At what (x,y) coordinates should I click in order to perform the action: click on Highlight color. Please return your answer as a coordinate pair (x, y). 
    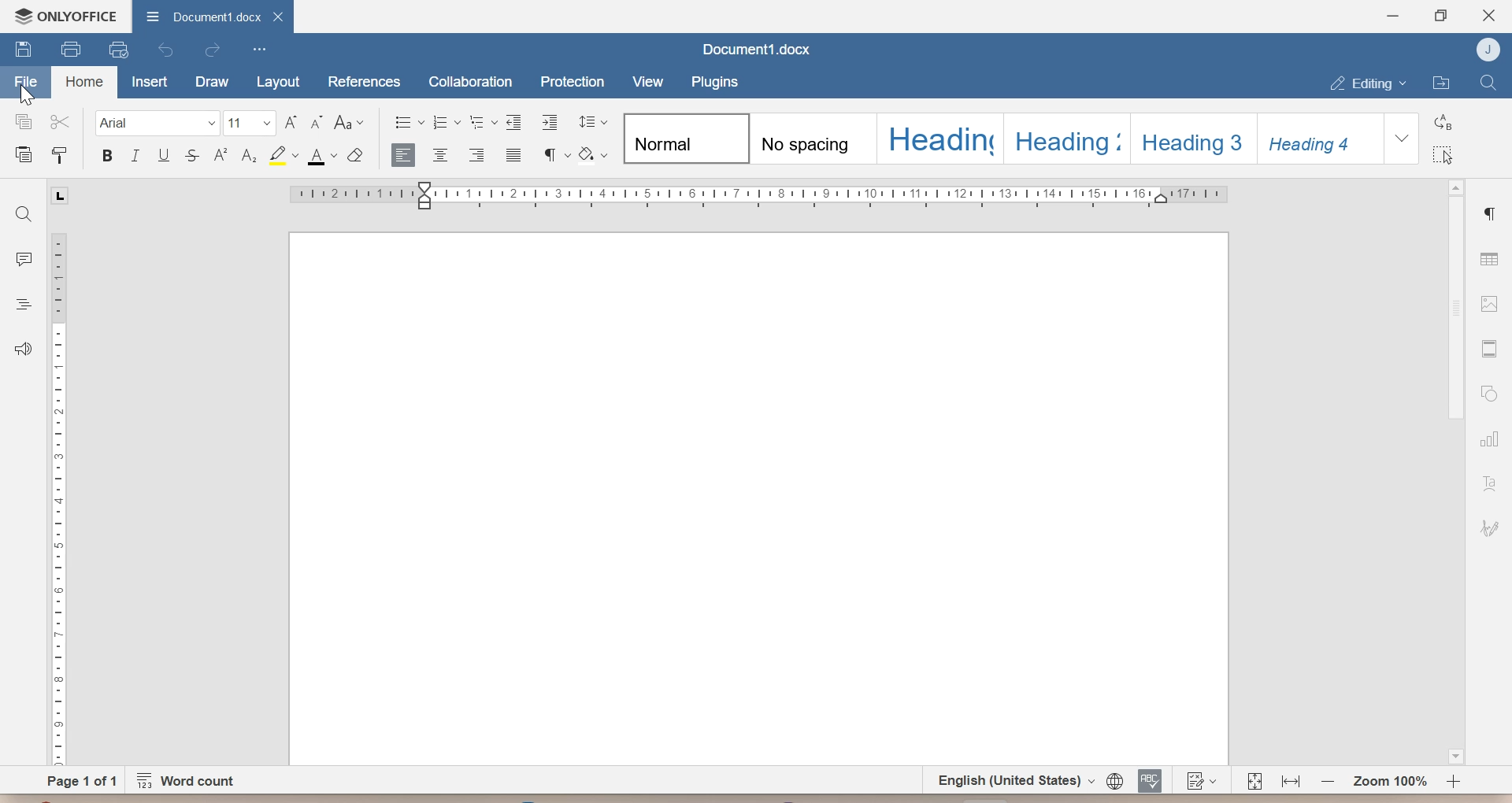
    Looking at the image, I should click on (281, 156).